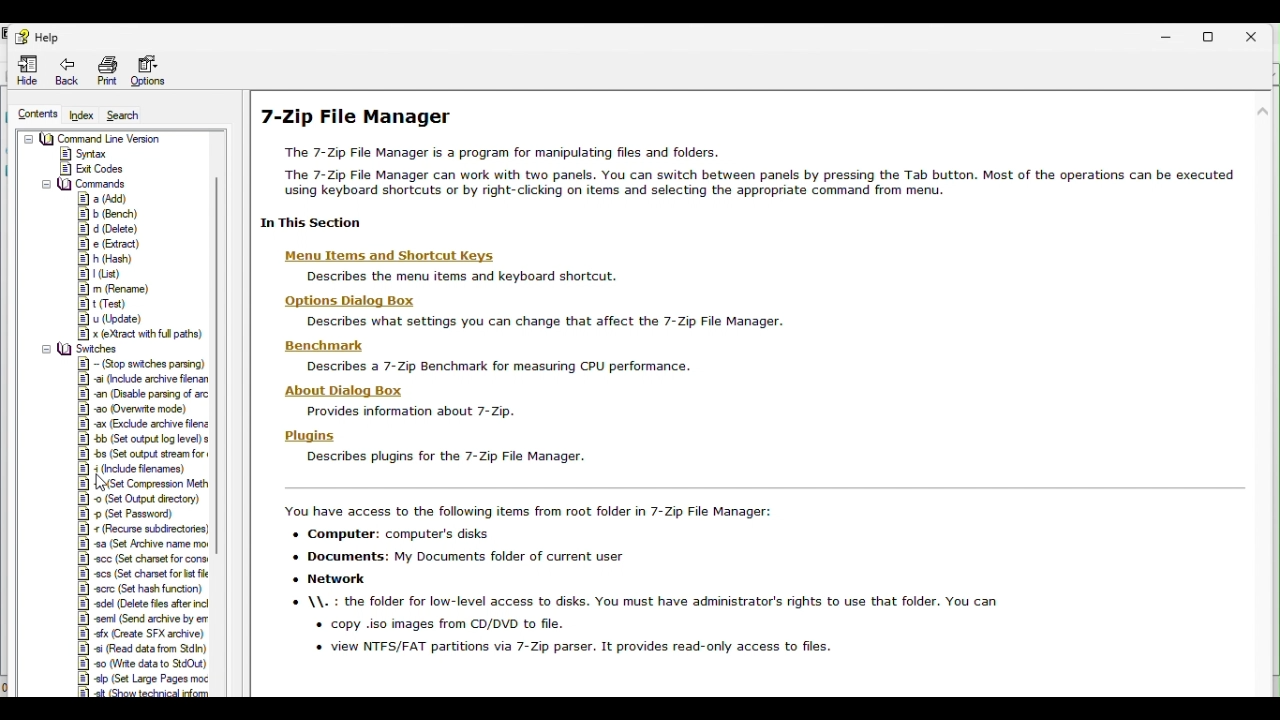 The width and height of the screenshot is (1280, 720). Describe the element at coordinates (655, 577) in the screenshot. I see `description text` at that location.